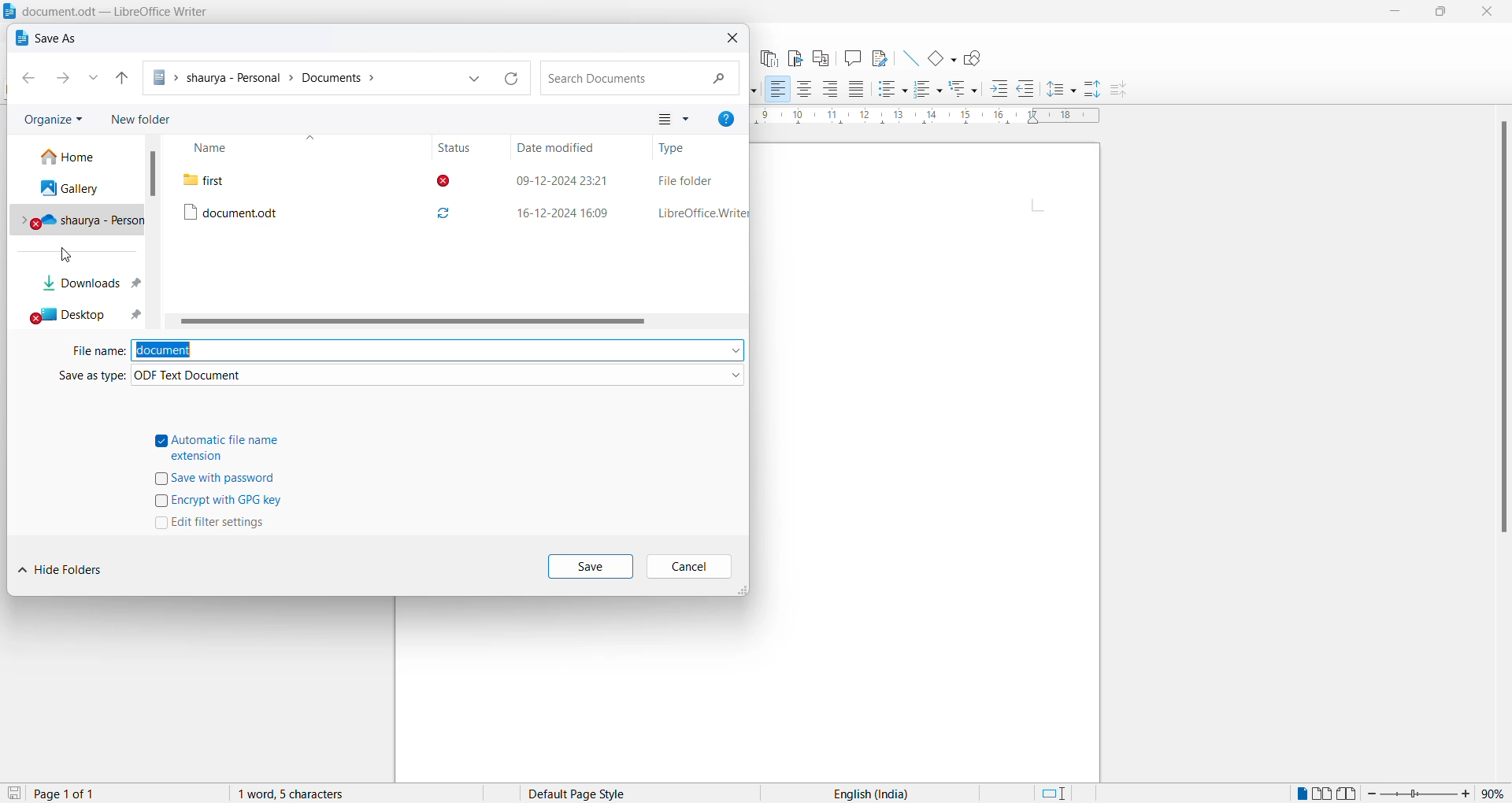  I want to click on Insert line, so click(910, 59).